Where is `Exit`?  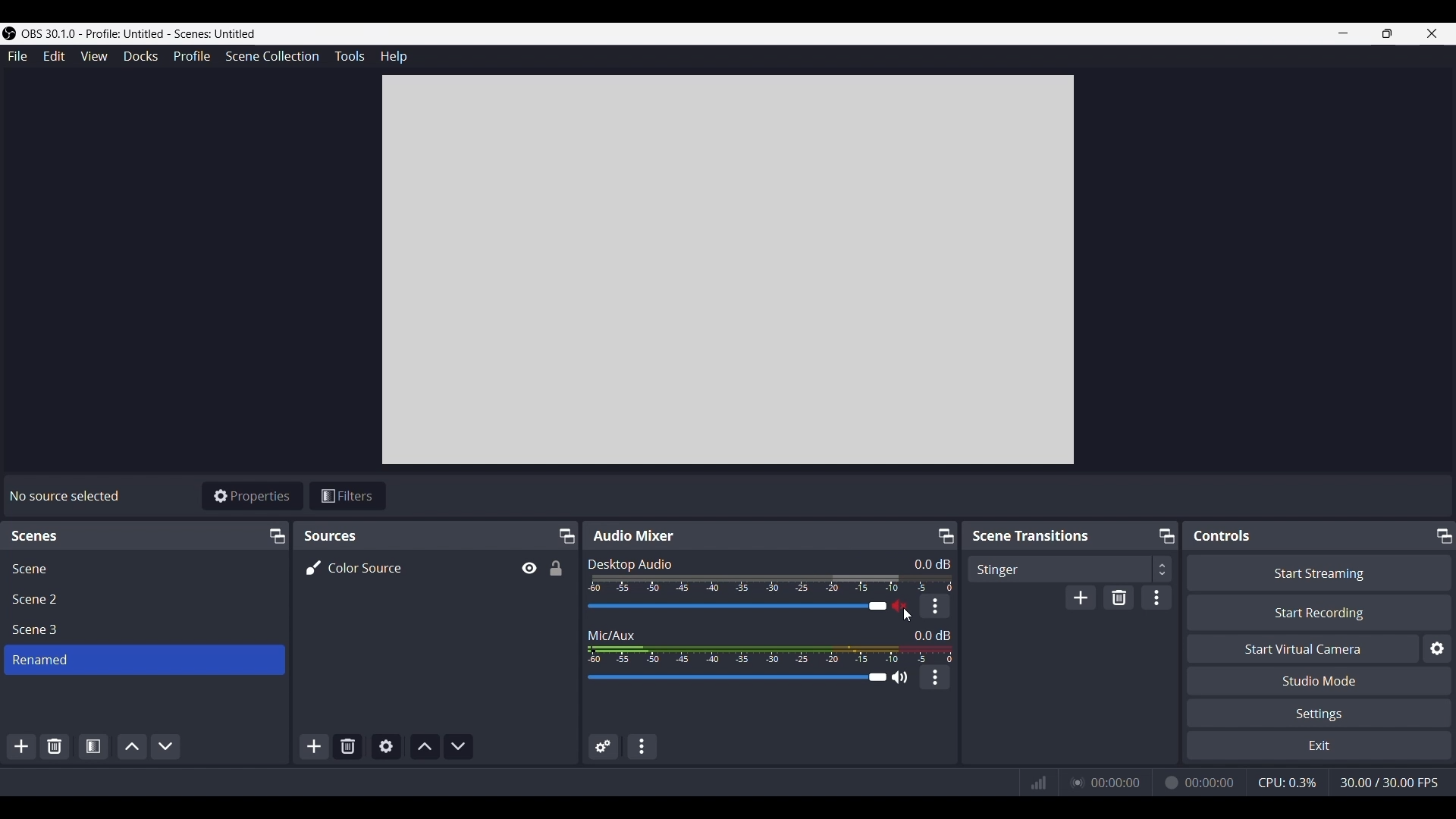 Exit is located at coordinates (1319, 745).